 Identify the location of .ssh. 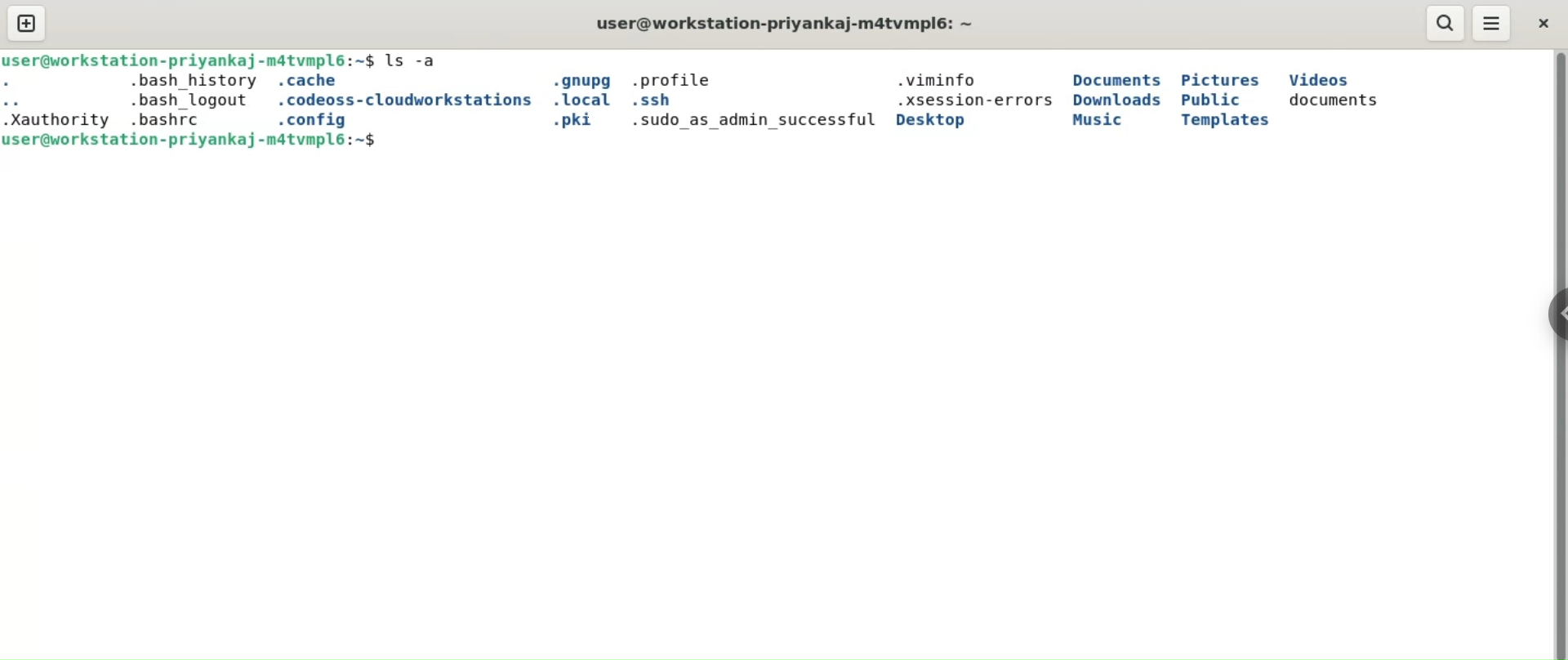
(660, 101).